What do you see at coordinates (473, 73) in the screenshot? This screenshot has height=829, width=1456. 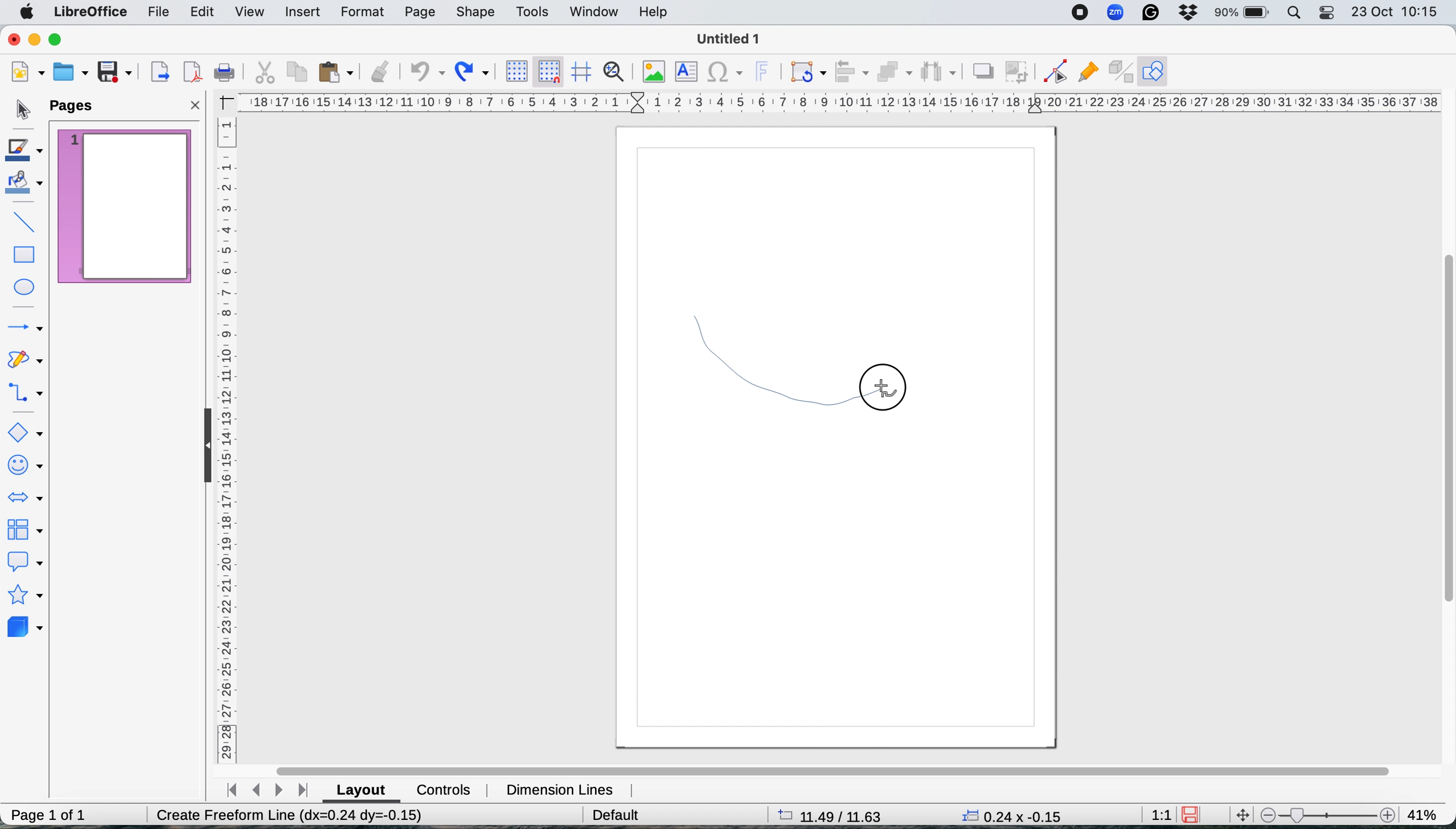 I see `redo` at bounding box center [473, 73].